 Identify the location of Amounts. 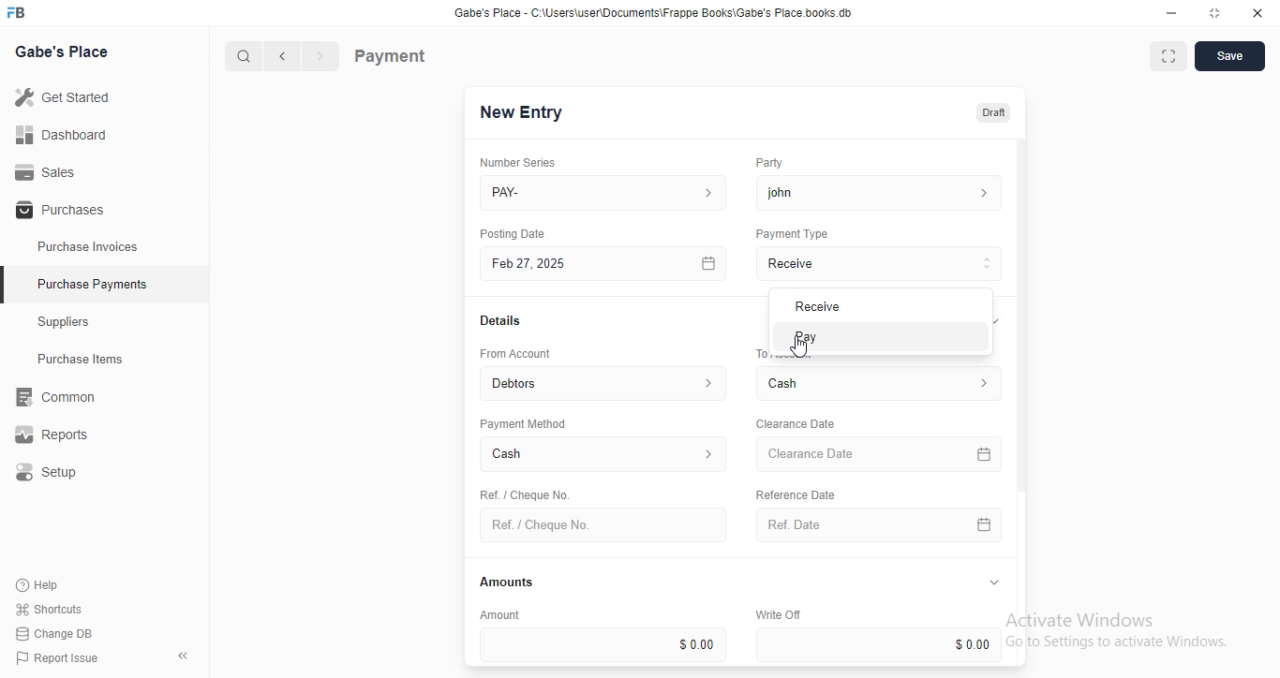
(502, 582).